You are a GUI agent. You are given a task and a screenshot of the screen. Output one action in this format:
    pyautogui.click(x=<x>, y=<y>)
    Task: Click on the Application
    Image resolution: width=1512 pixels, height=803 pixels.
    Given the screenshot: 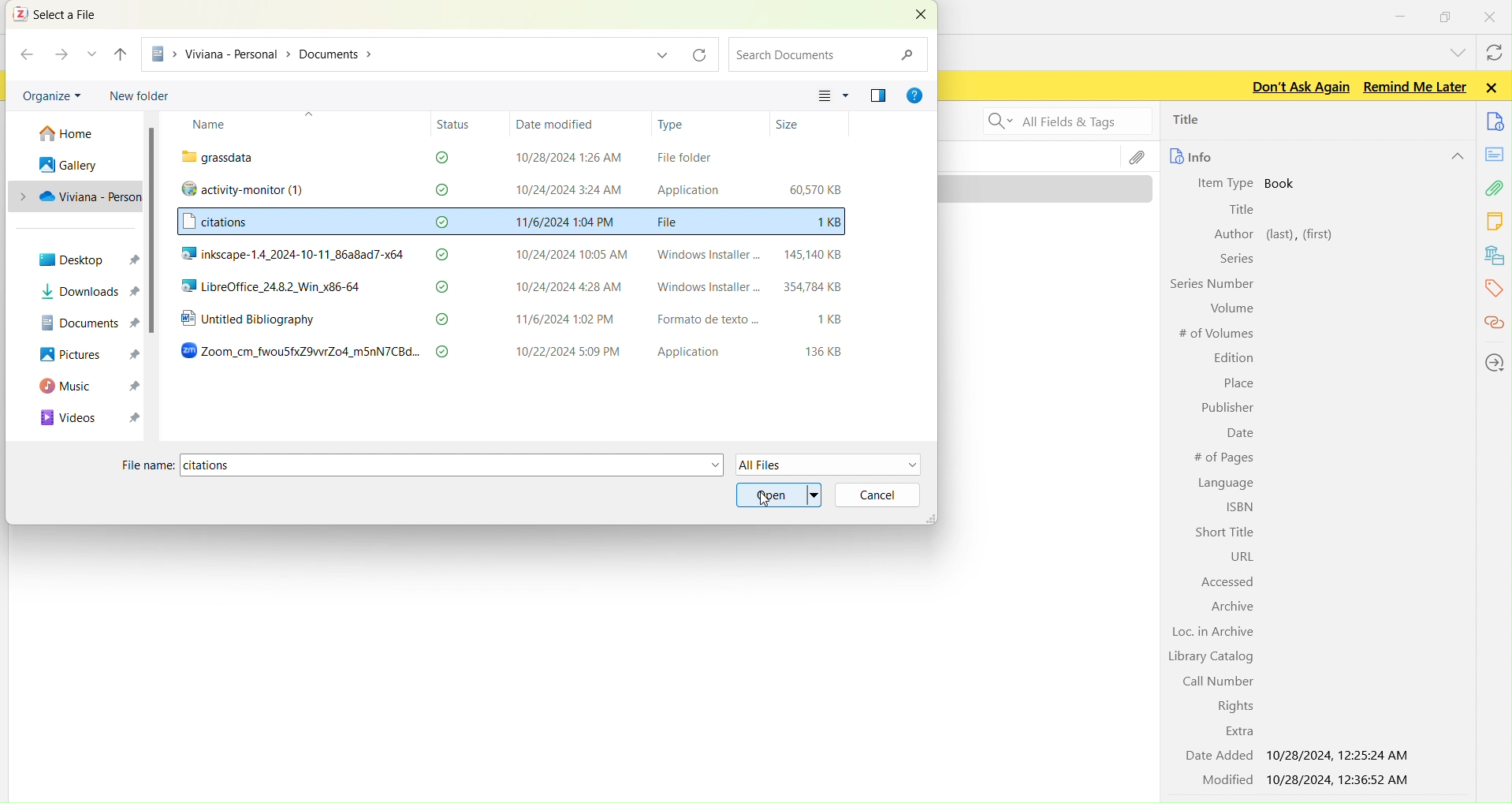 What is the action you would take?
    pyautogui.click(x=687, y=189)
    